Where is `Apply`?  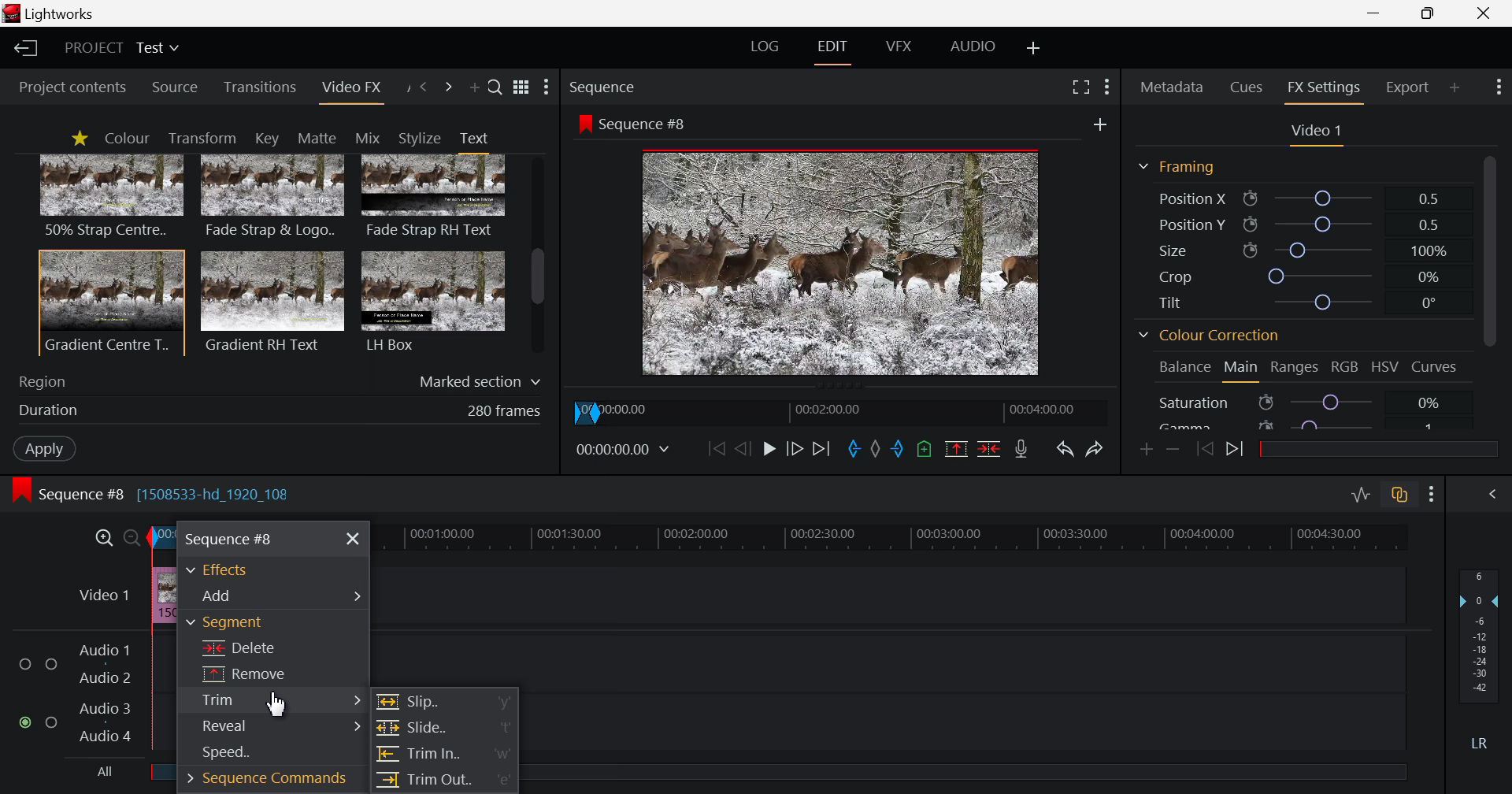
Apply is located at coordinates (41, 447).